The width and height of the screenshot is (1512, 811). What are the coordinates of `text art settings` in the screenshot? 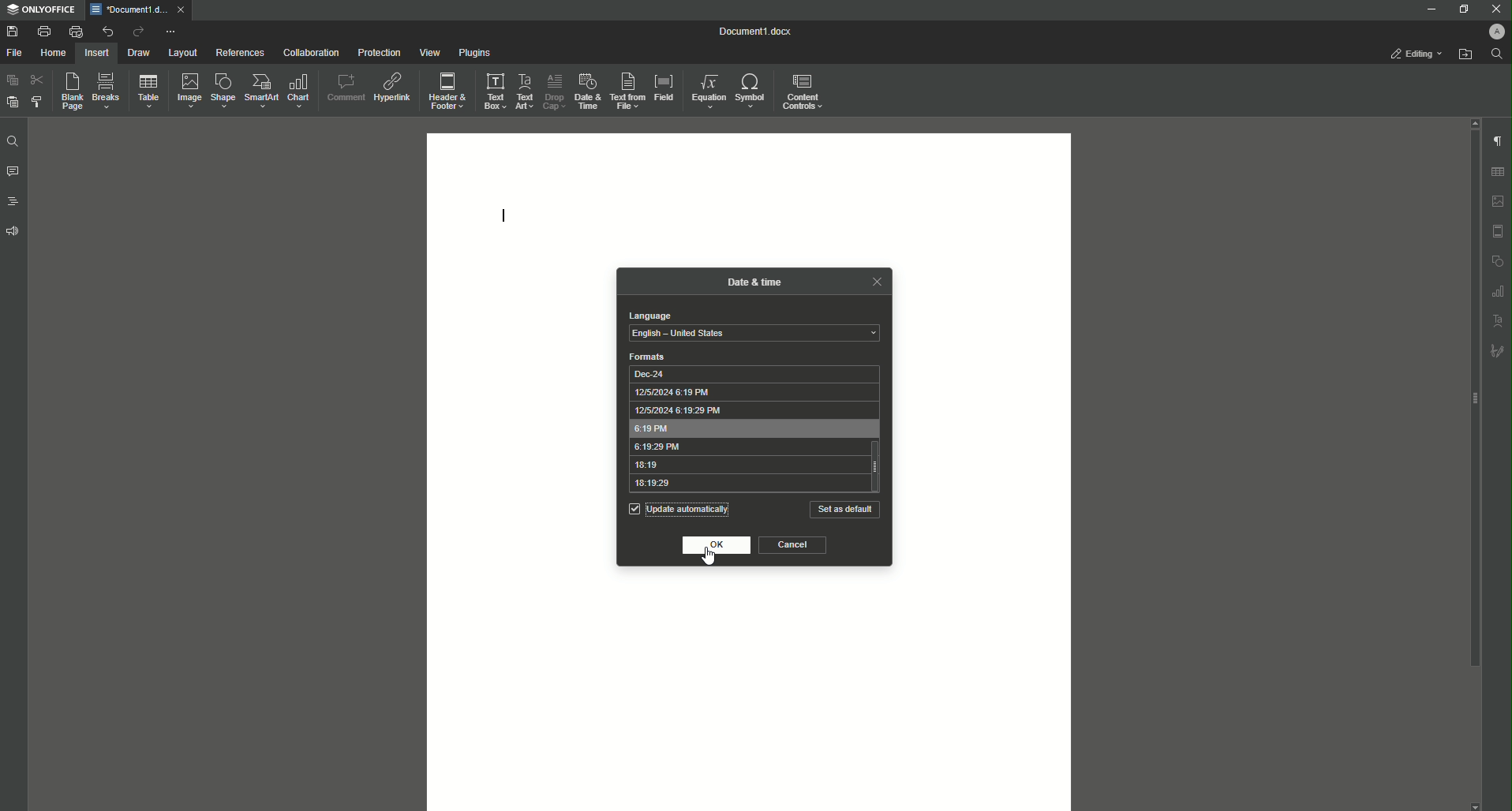 It's located at (1499, 319).